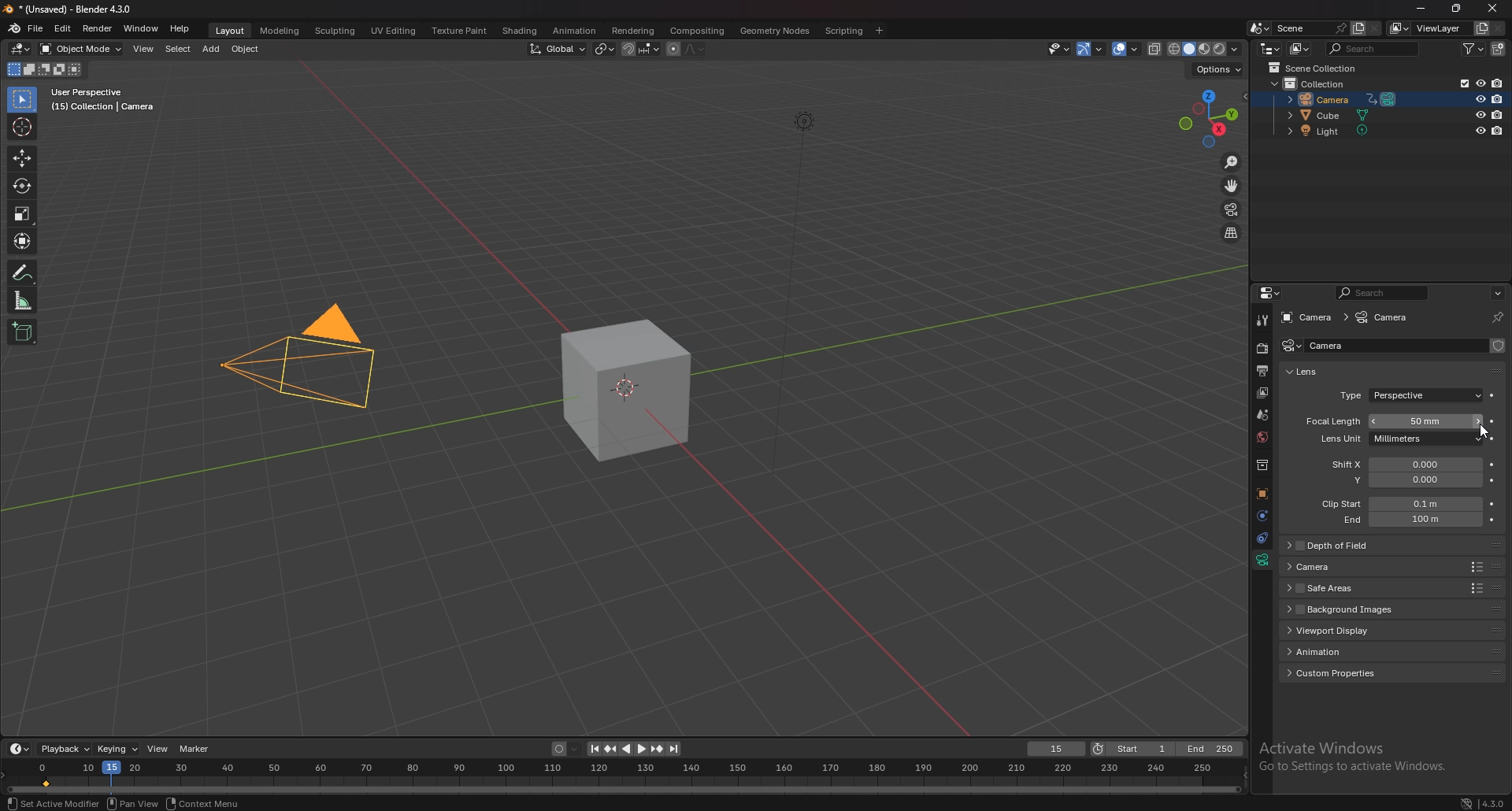 The width and height of the screenshot is (1512, 811). Describe the element at coordinates (1458, 10) in the screenshot. I see `resize` at that location.